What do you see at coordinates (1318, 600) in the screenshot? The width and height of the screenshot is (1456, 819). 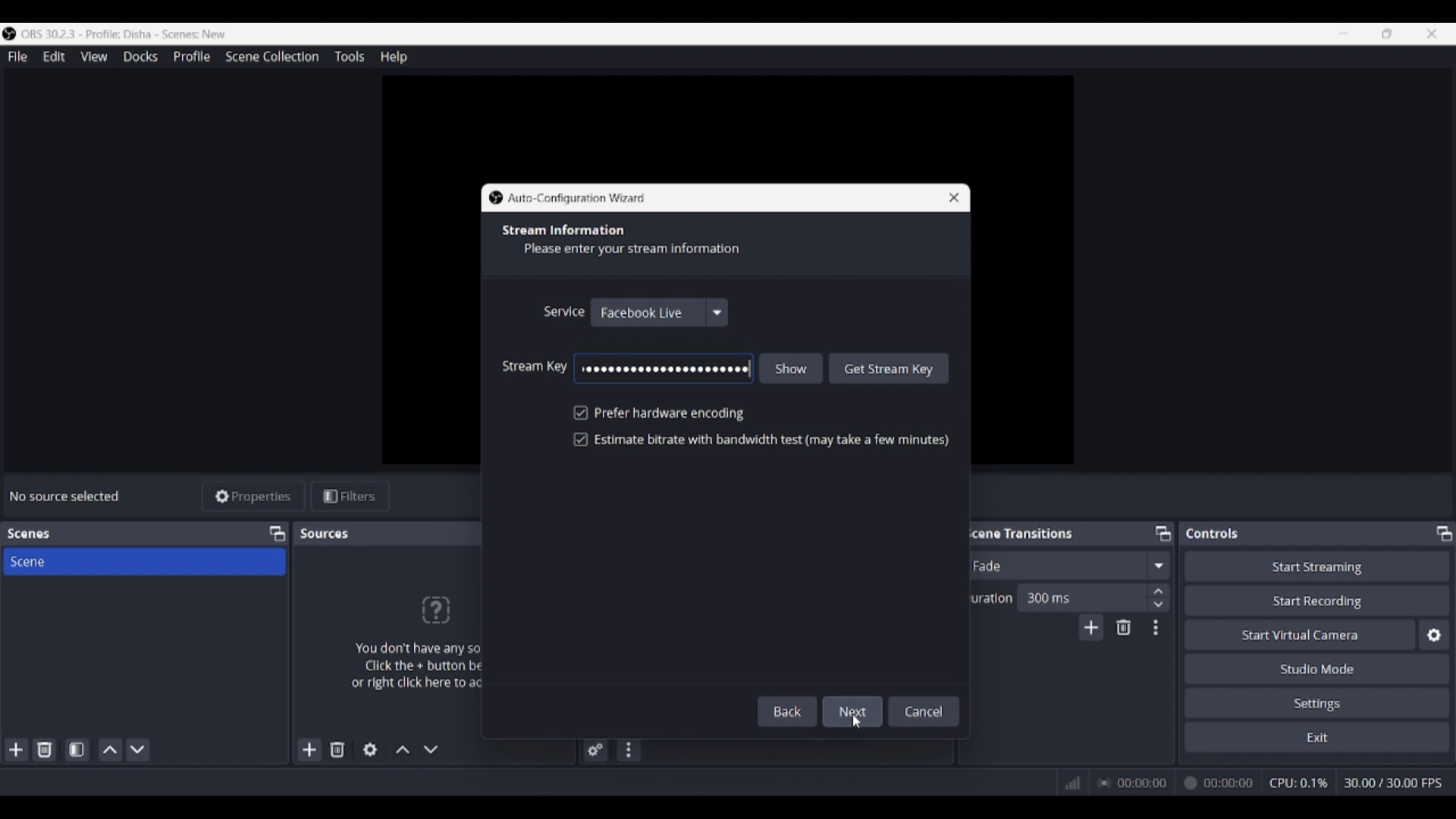 I see `Start recording` at bounding box center [1318, 600].